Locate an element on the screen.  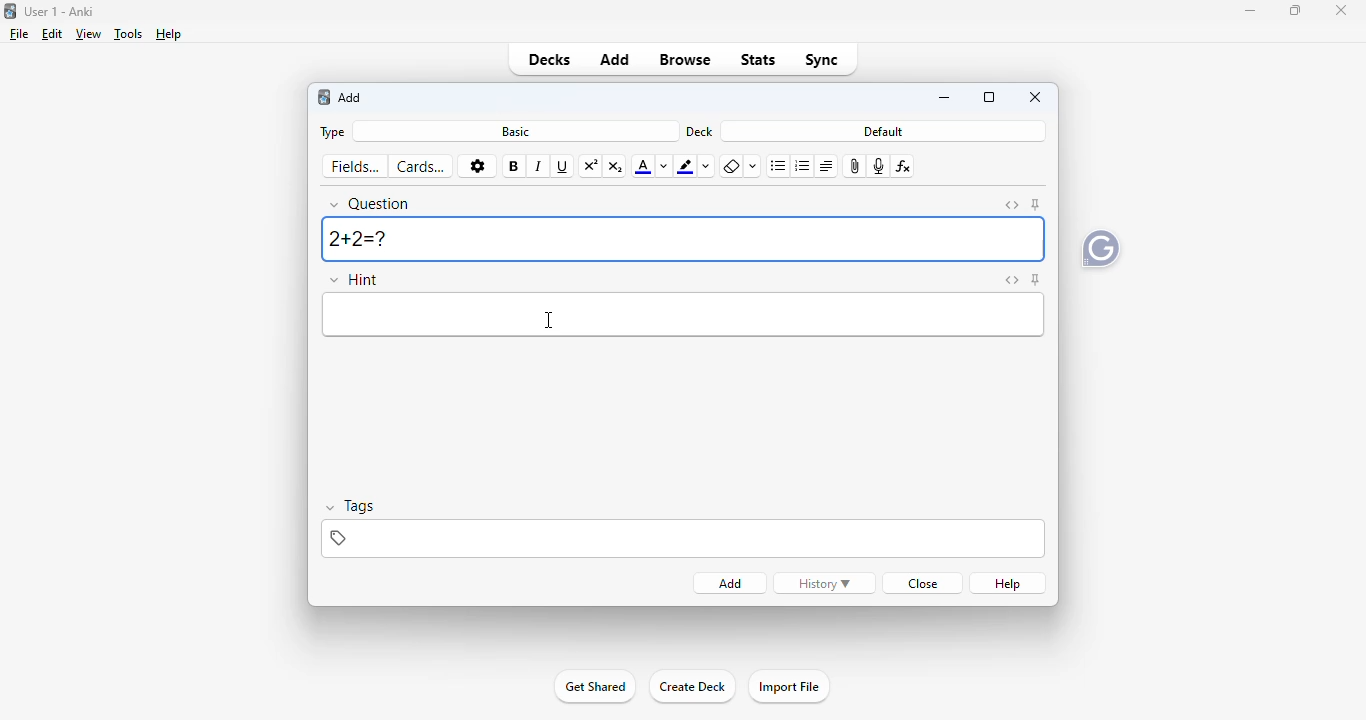
tools is located at coordinates (129, 34).